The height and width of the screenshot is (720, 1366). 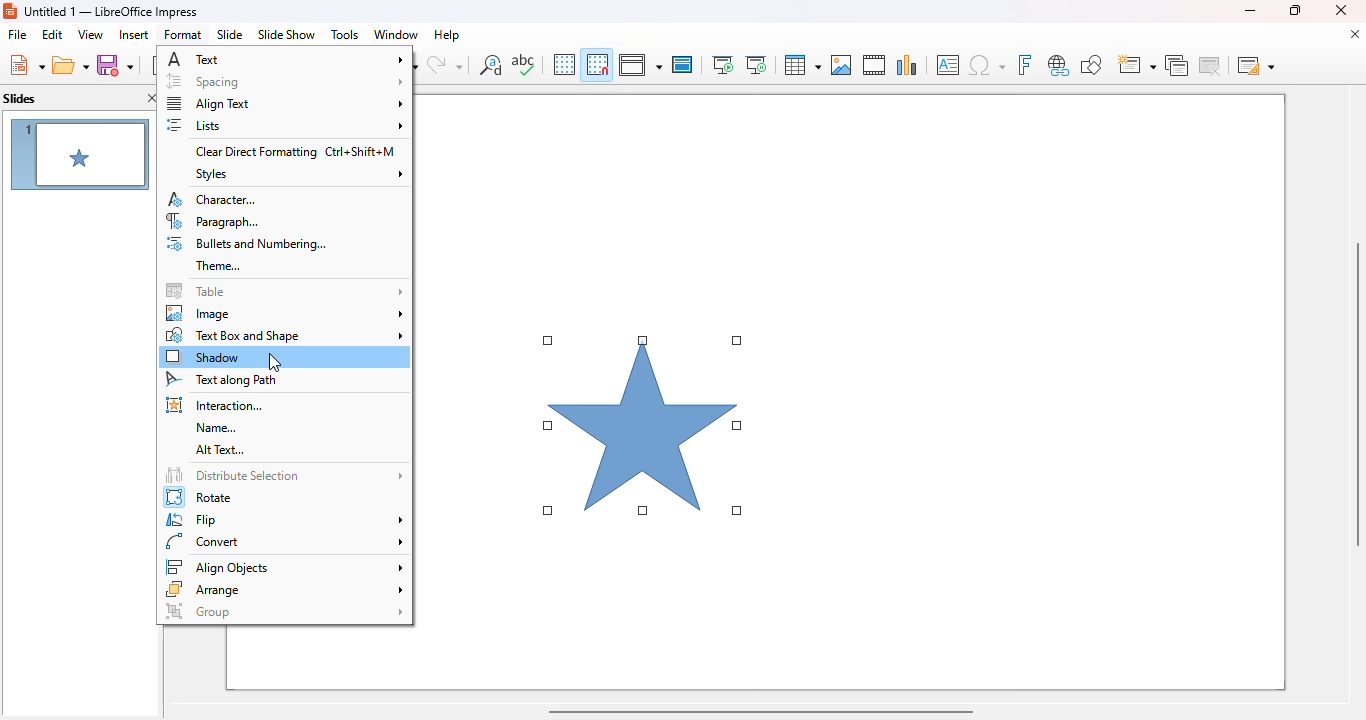 I want to click on start from first slide, so click(x=722, y=65).